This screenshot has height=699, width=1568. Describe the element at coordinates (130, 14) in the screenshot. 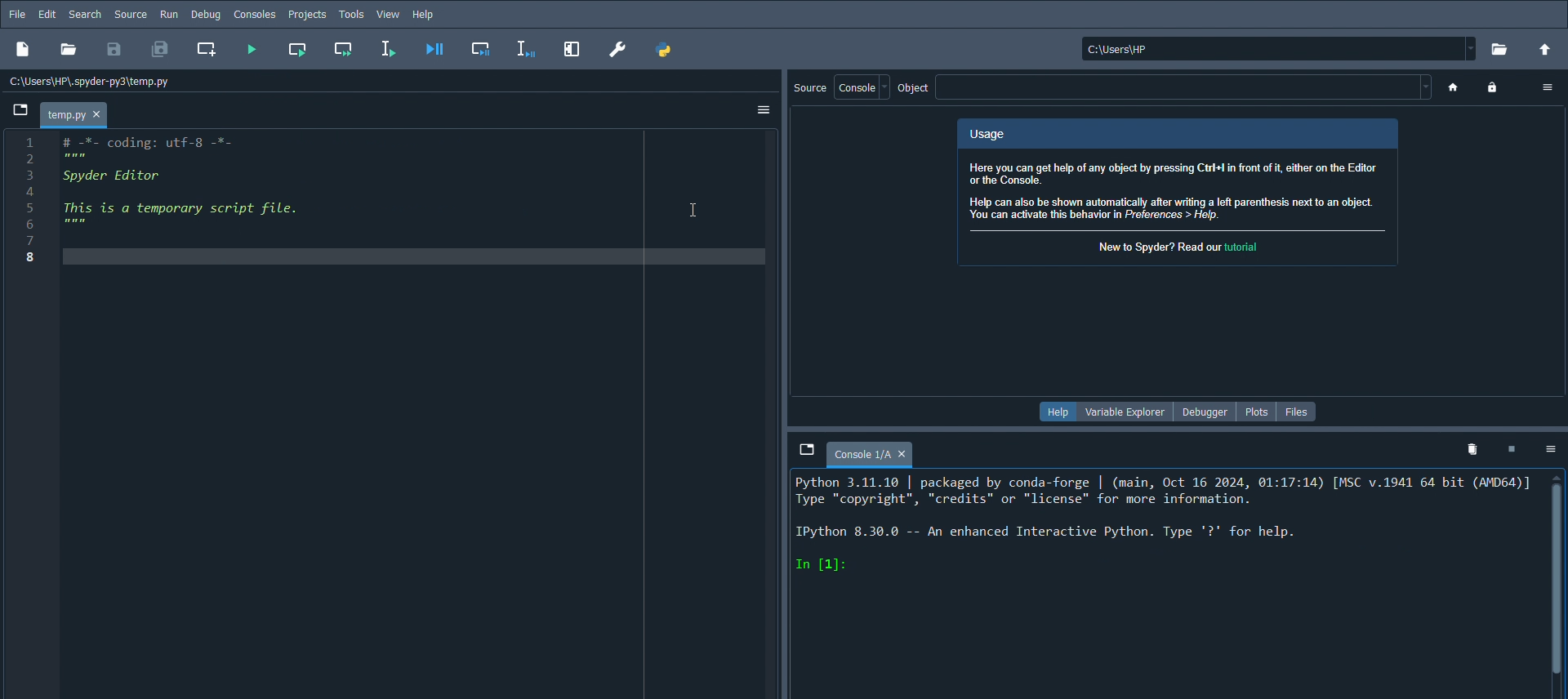

I see `Source` at that location.